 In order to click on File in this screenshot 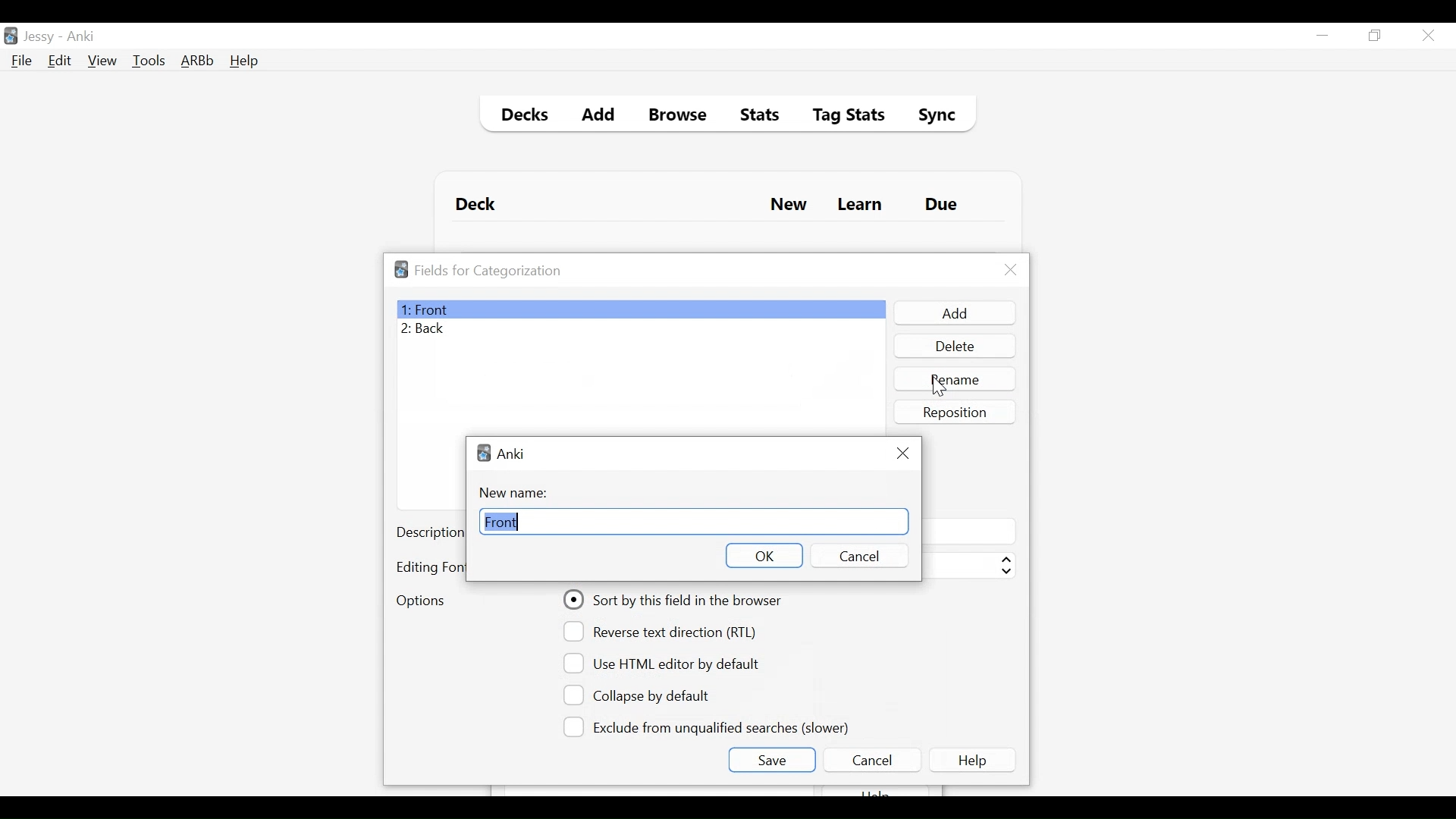, I will do `click(22, 62)`.